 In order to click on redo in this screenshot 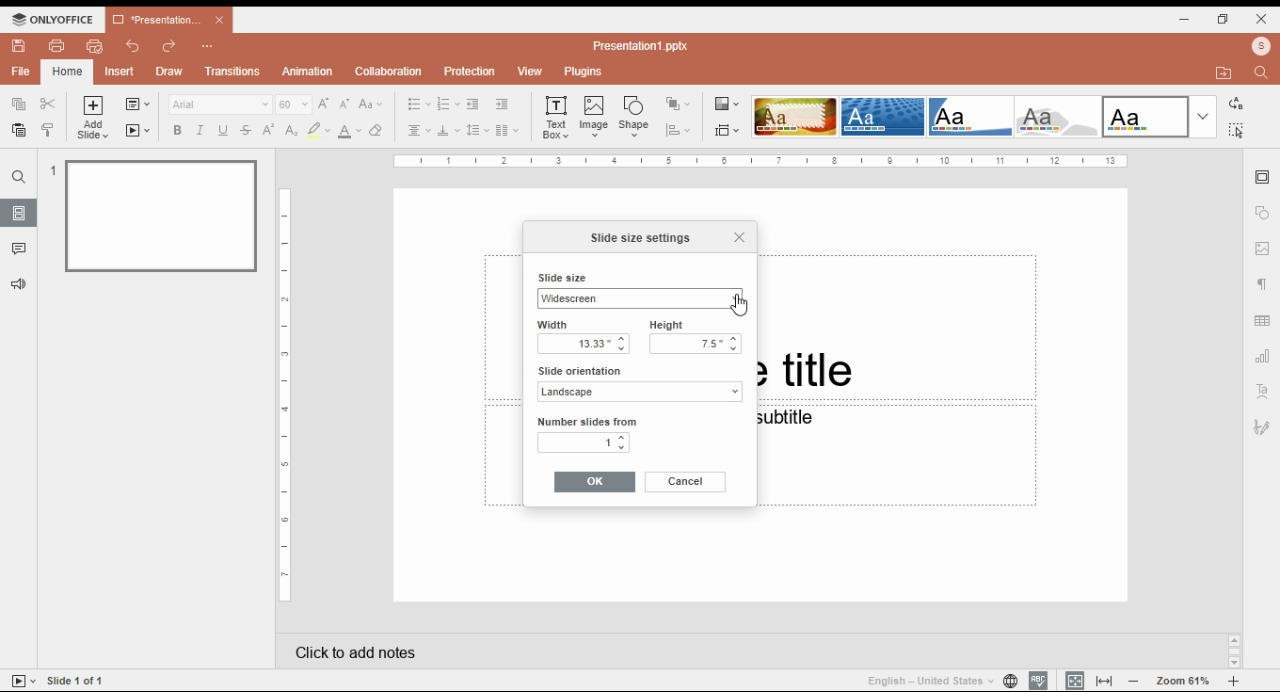, I will do `click(170, 47)`.